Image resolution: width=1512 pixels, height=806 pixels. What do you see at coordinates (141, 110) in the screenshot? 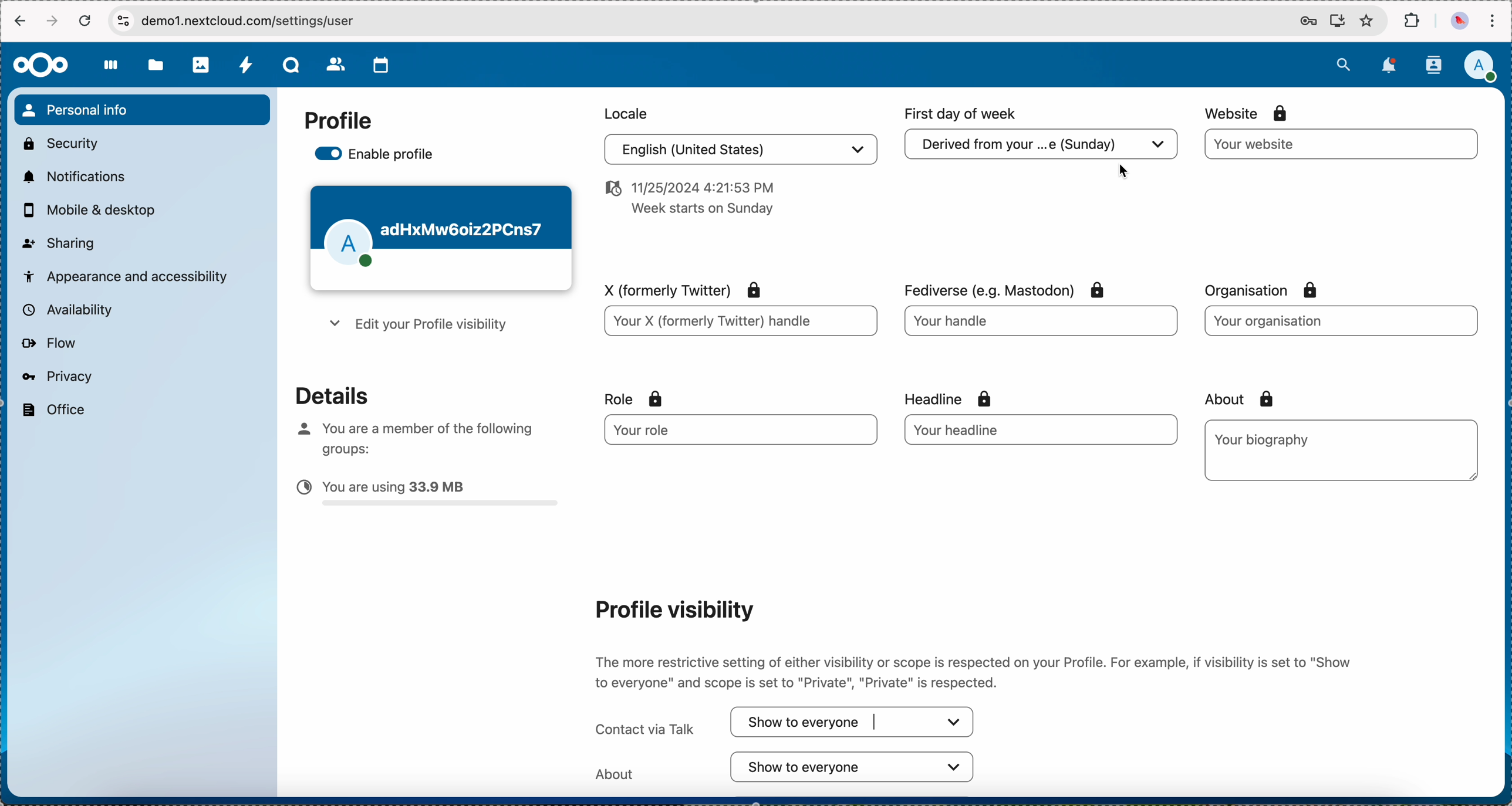
I see `personal info` at bounding box center [141, 110].